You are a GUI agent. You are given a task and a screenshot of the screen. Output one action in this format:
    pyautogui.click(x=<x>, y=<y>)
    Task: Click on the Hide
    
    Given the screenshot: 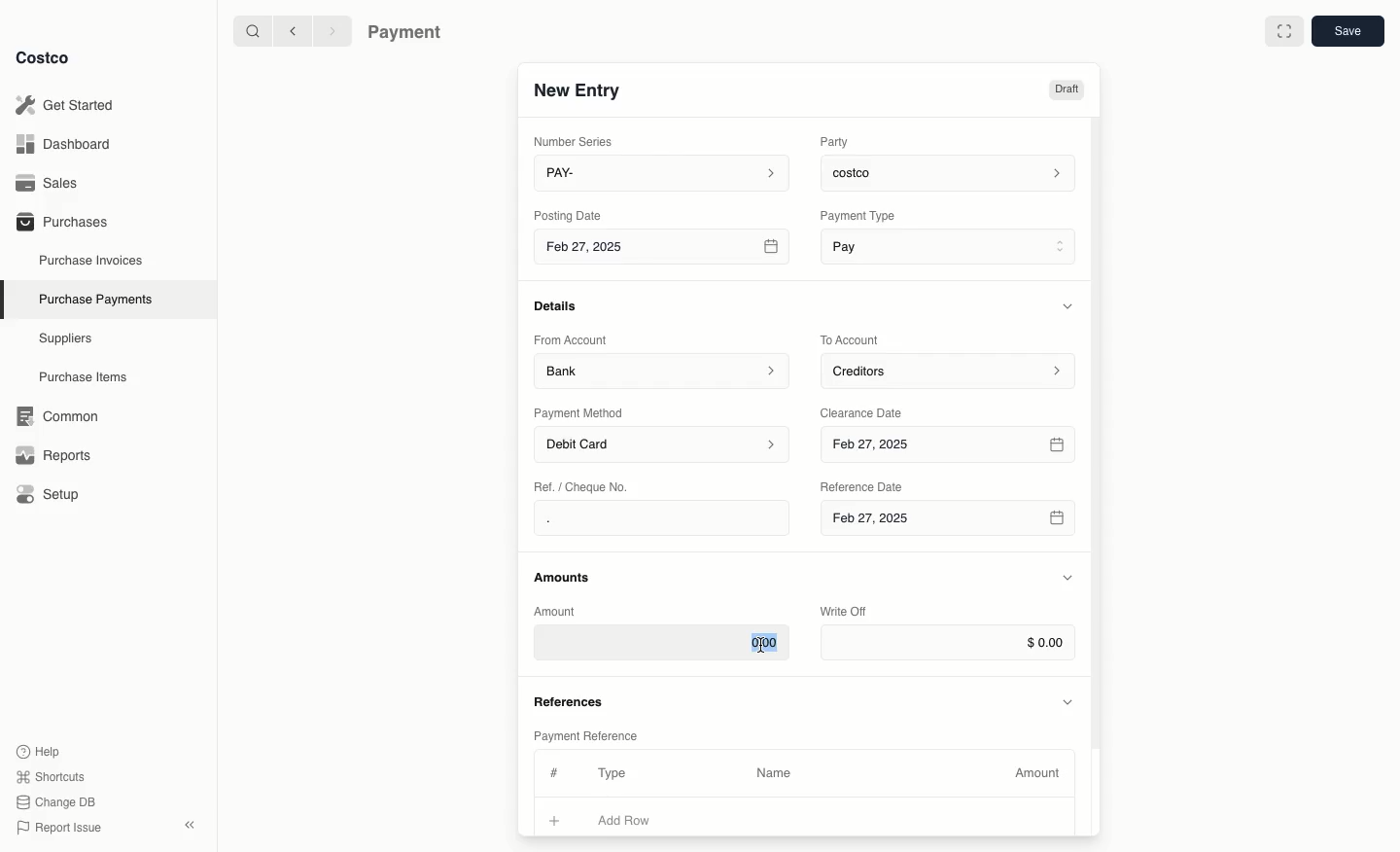 What is the action you would take?
    pyautogui.click(x=1069, y=700)
    